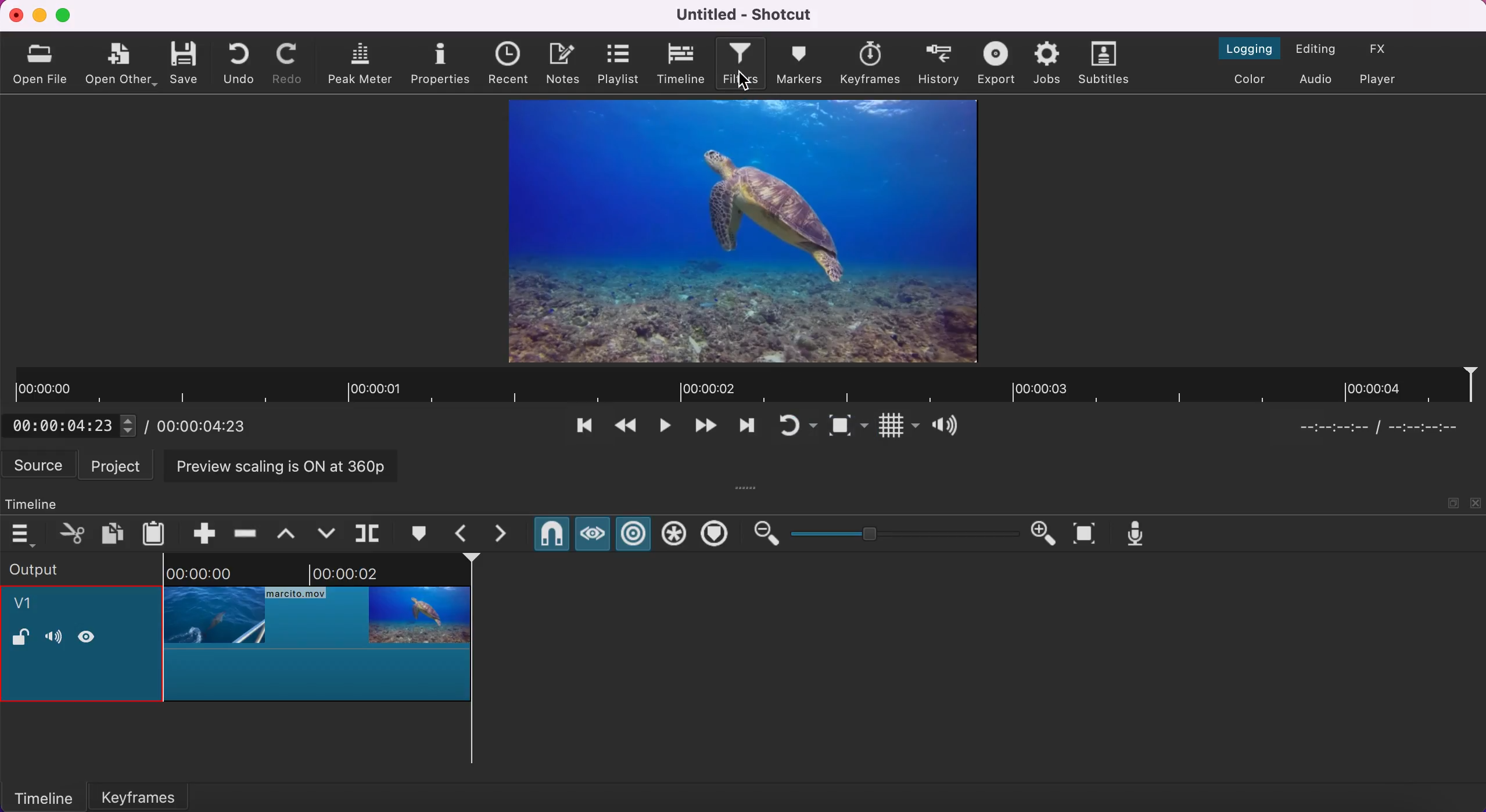 The height and width of the screenshot is (812, 1486). I want to click on previous marker, so click(465, 533).